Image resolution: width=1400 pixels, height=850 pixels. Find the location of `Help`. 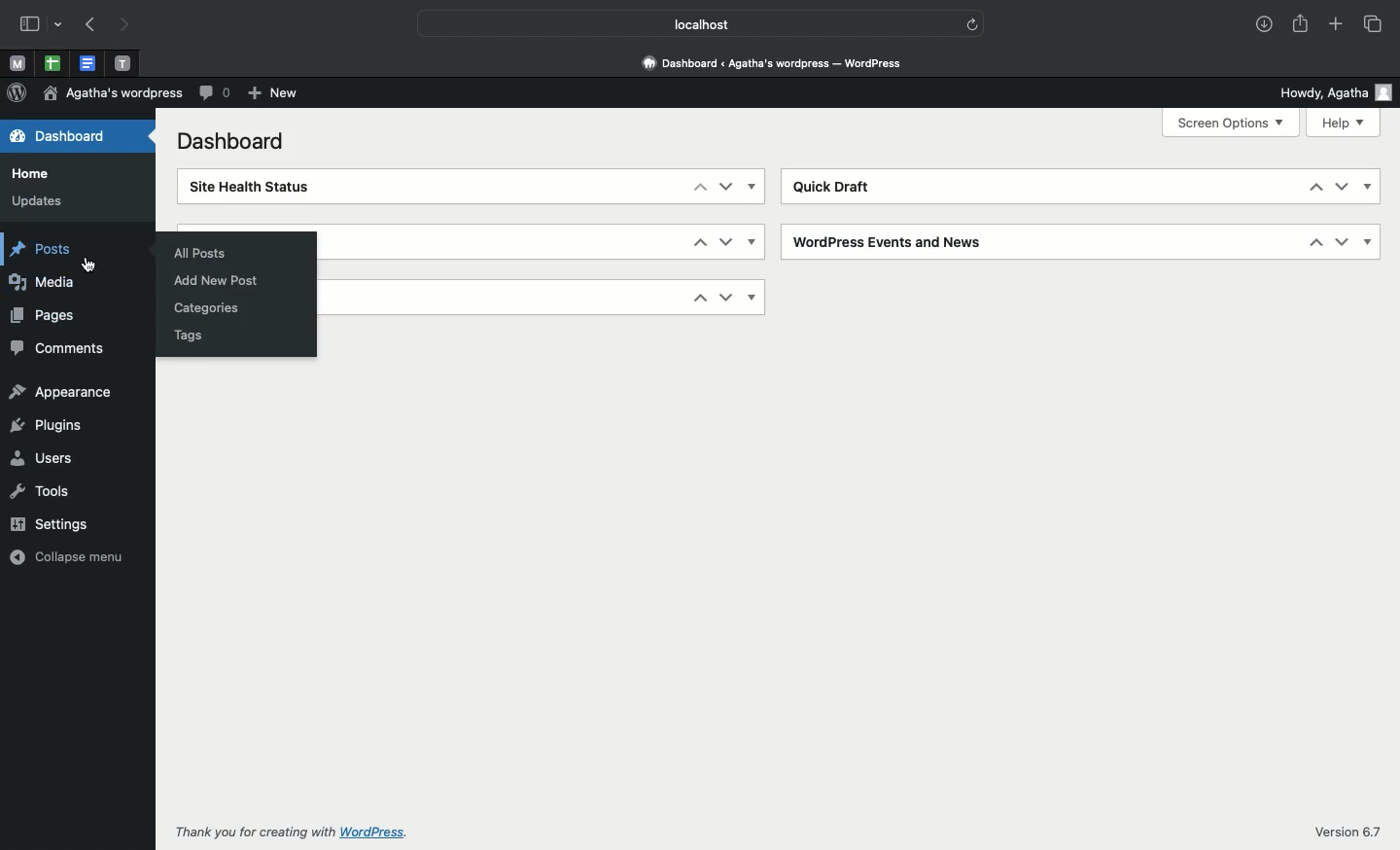

Help is located at coordinates (1344, 123).